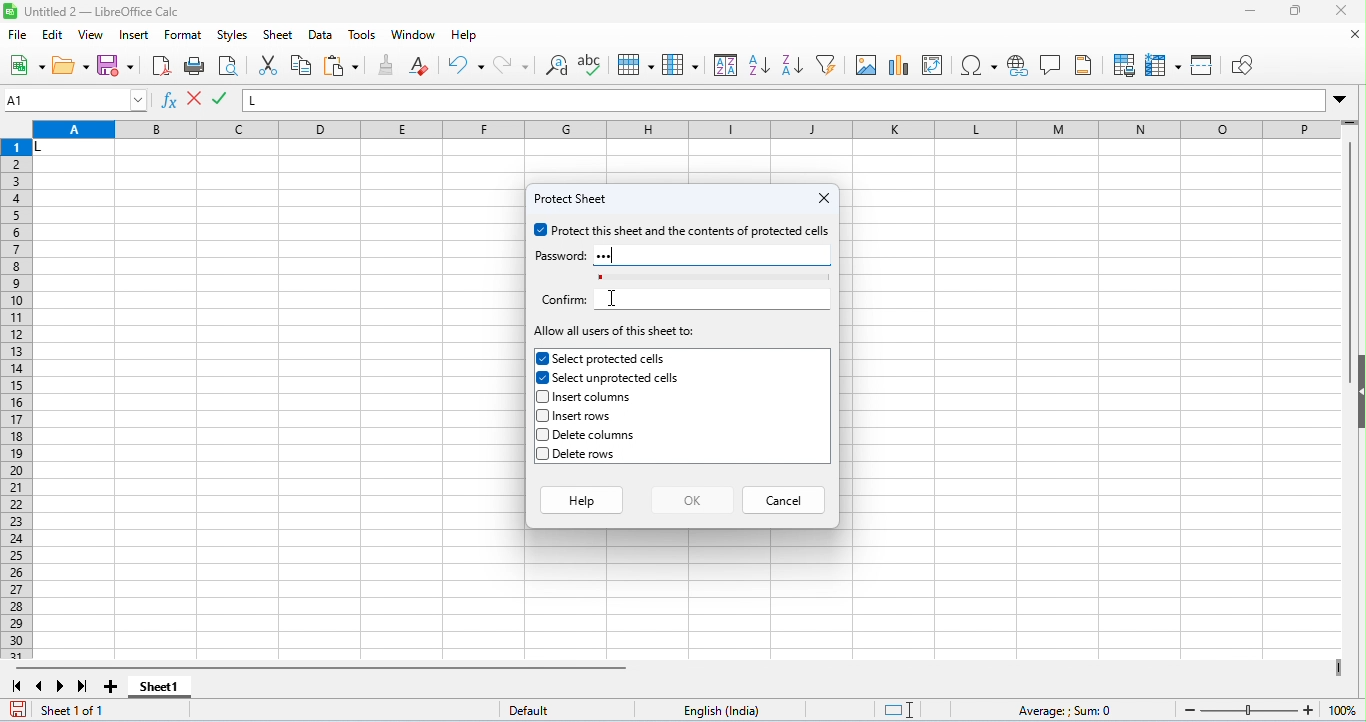  What do you see at coordinates (1357, 390) in the screenshot?
I see `hide` at bounding box center [1357, 390].